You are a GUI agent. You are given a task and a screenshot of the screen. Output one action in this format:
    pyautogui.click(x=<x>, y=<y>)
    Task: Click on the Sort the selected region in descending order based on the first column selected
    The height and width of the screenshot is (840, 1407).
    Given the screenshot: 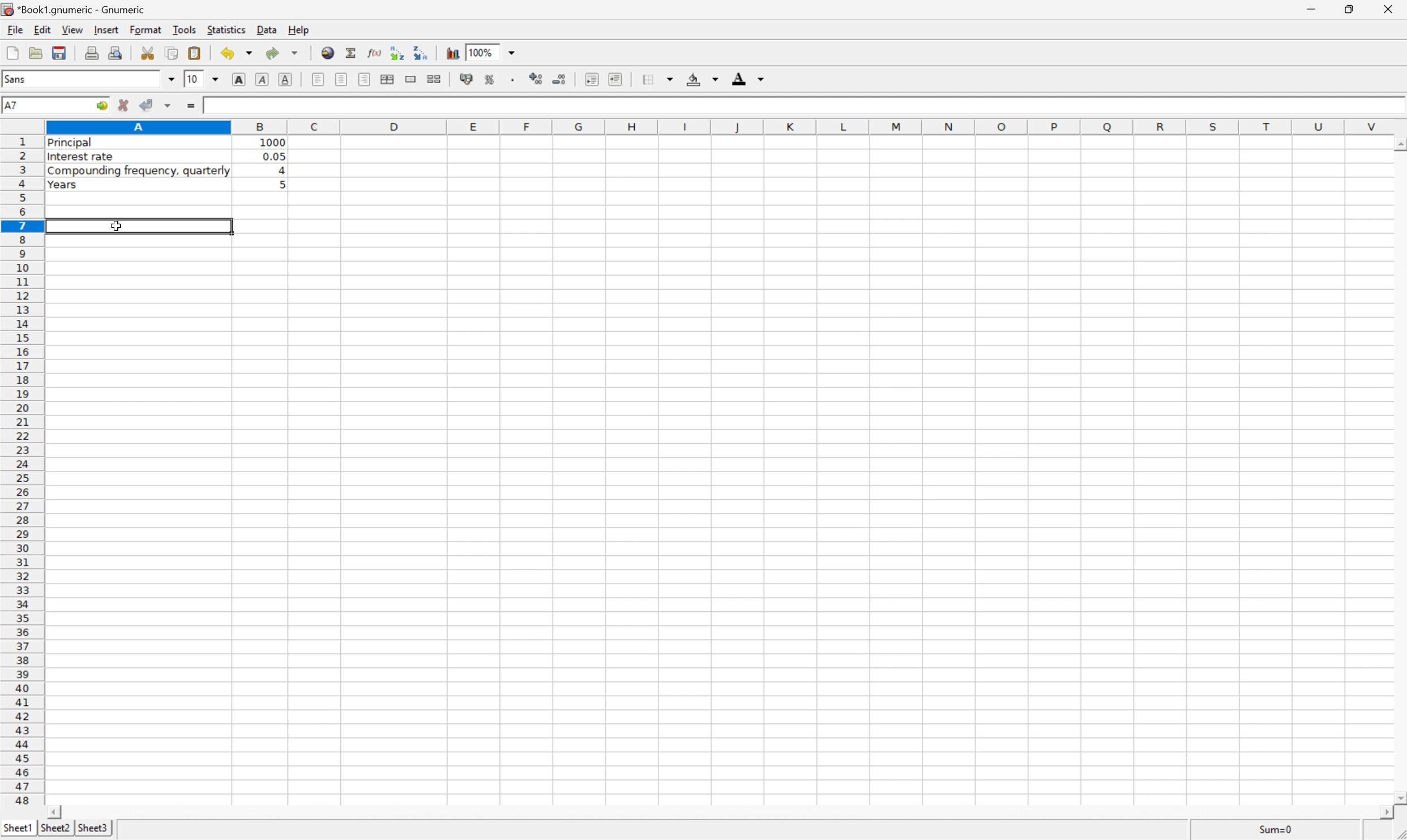 What is the action you would take?
    pyautogui.click(x=421, y=52)
    